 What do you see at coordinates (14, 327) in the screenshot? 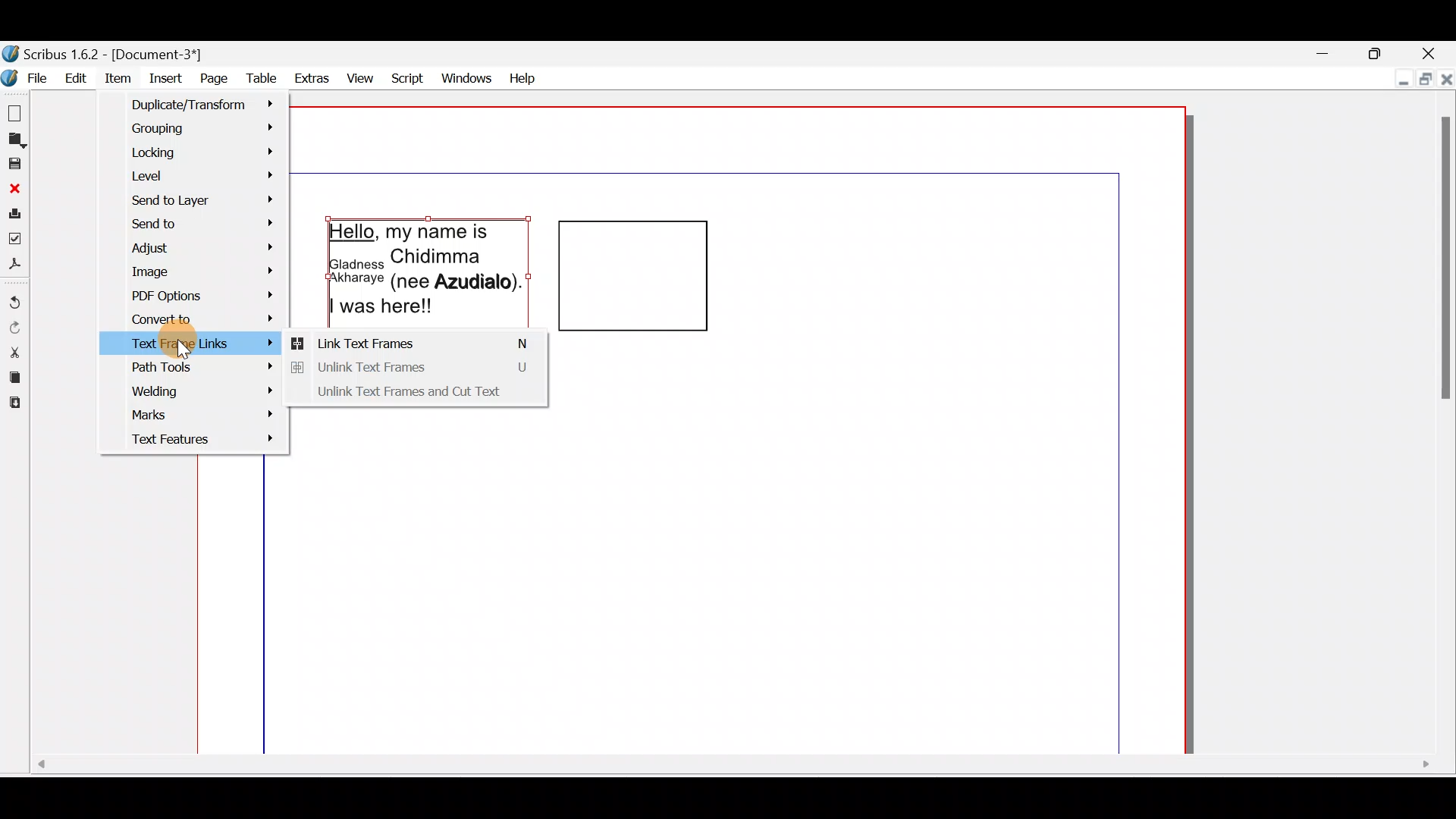
I see `Redo` at bounding box center [14, 327].